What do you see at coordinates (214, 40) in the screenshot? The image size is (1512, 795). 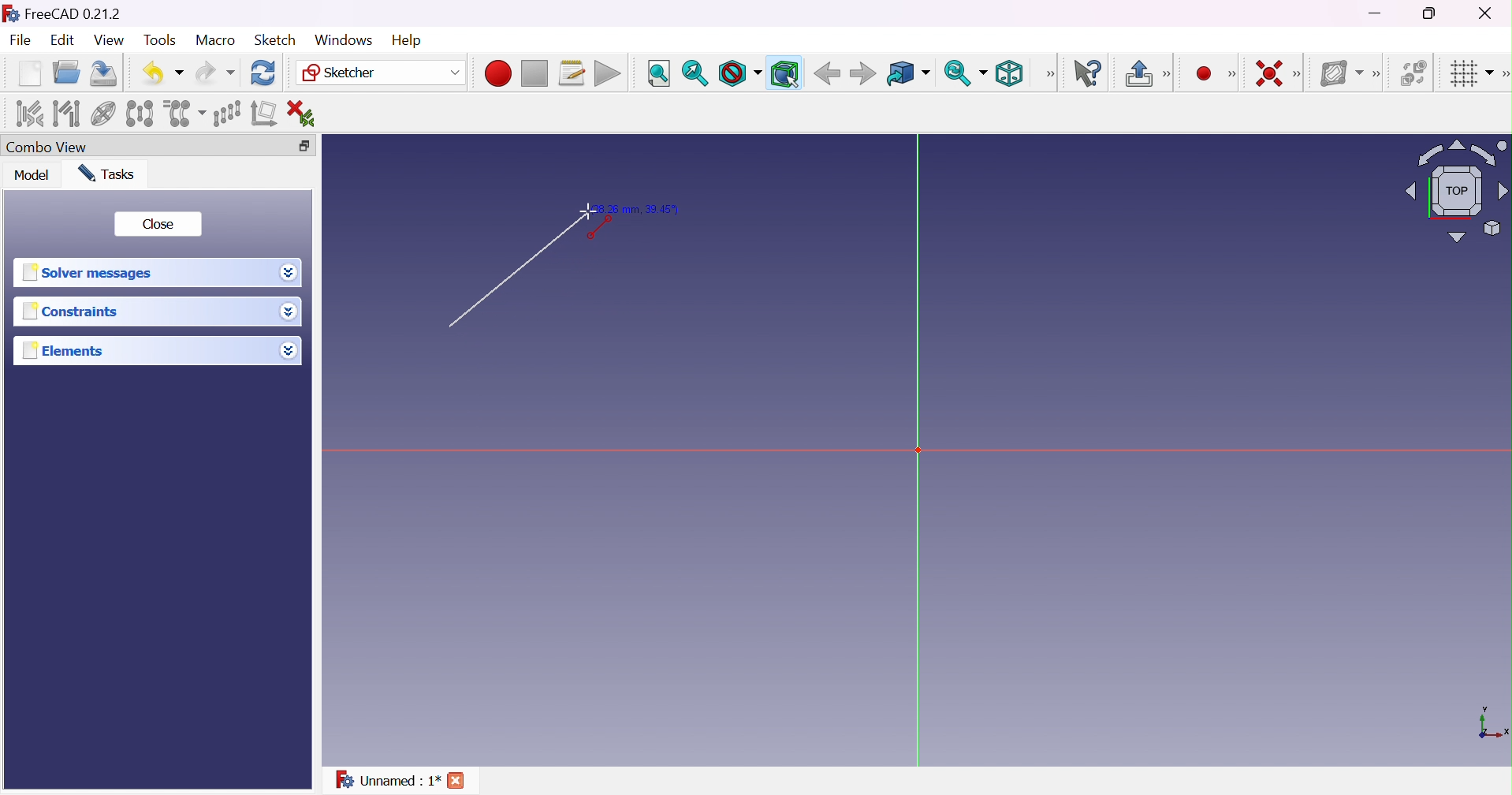 I see `Macro` at bounding box center [214, 40].